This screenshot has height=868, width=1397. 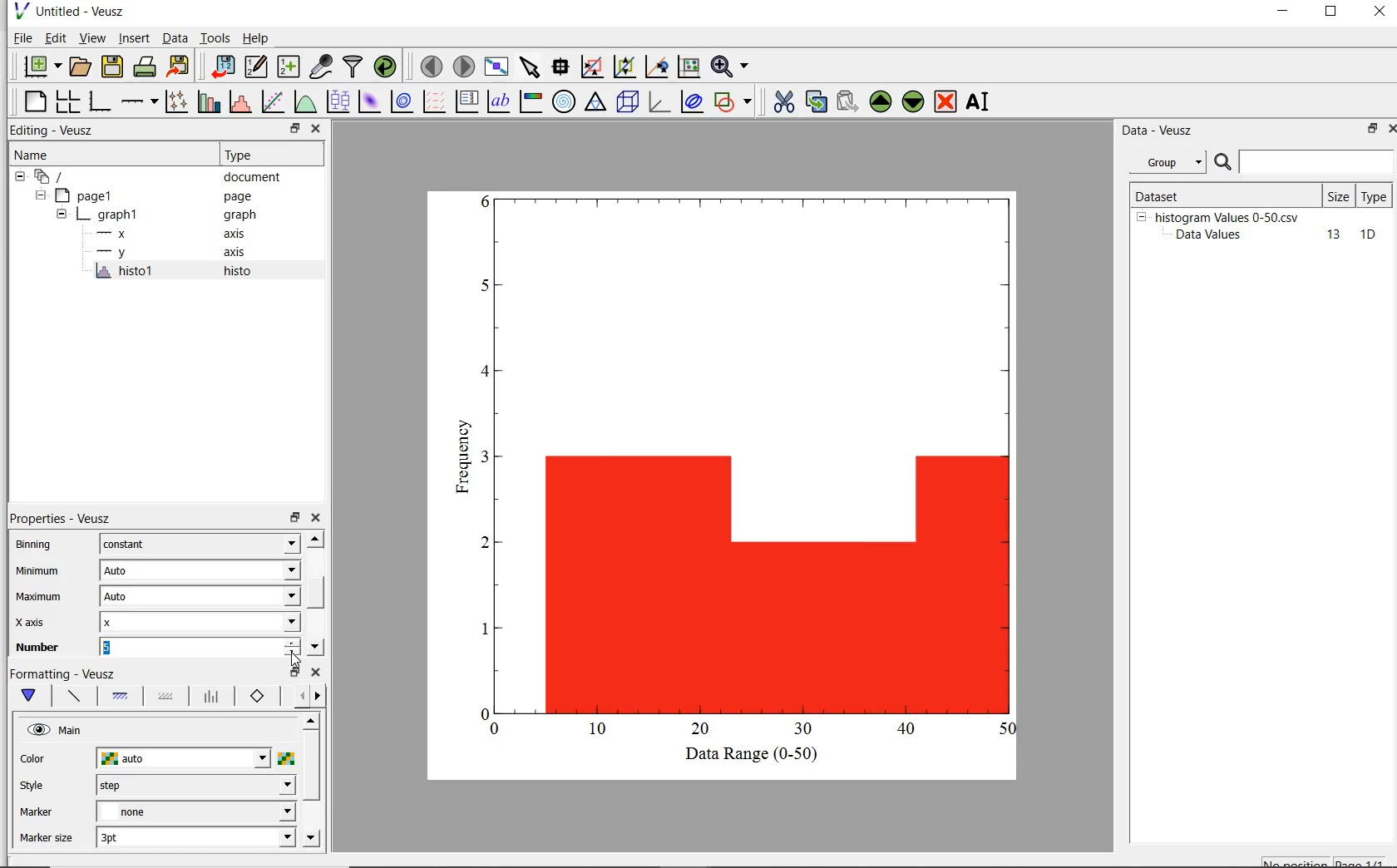 What do you see at coordinates (628, 103) in the screenshot?
I see `3d scene` at bounding box center [628, 103].